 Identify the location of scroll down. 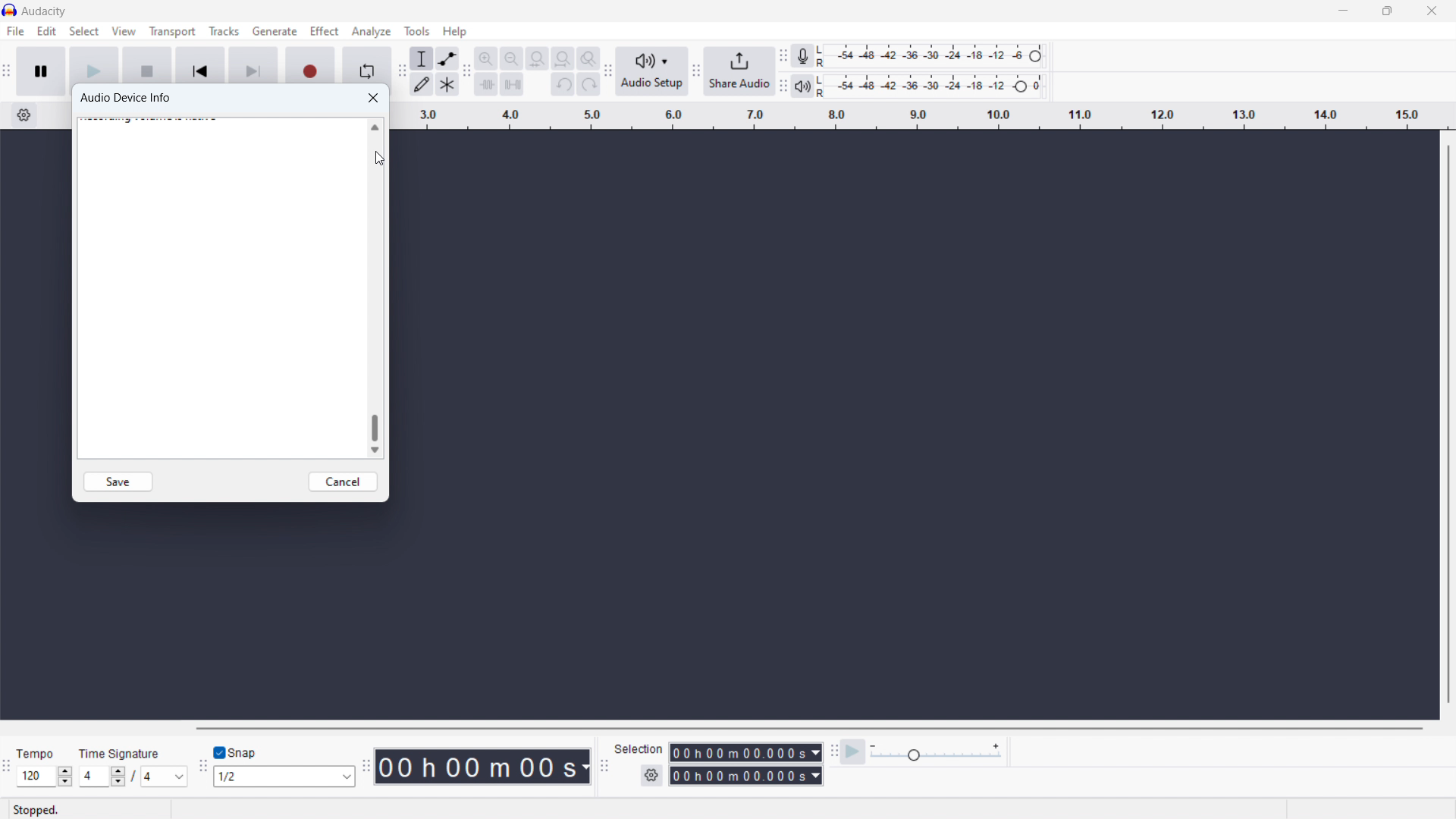
(375, 450).